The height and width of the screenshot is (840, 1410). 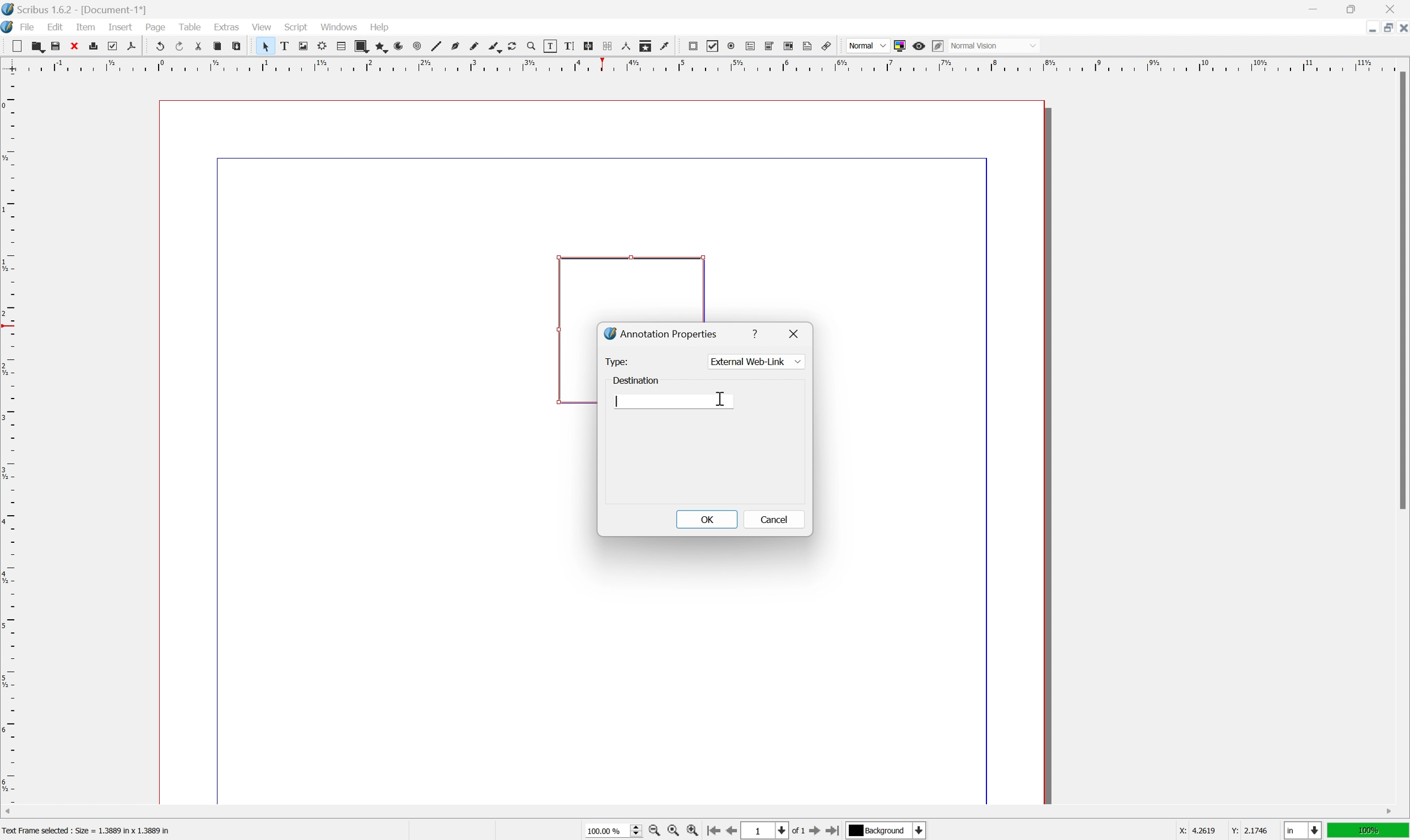 I want to click on image frame, so click(x=303, y=46).